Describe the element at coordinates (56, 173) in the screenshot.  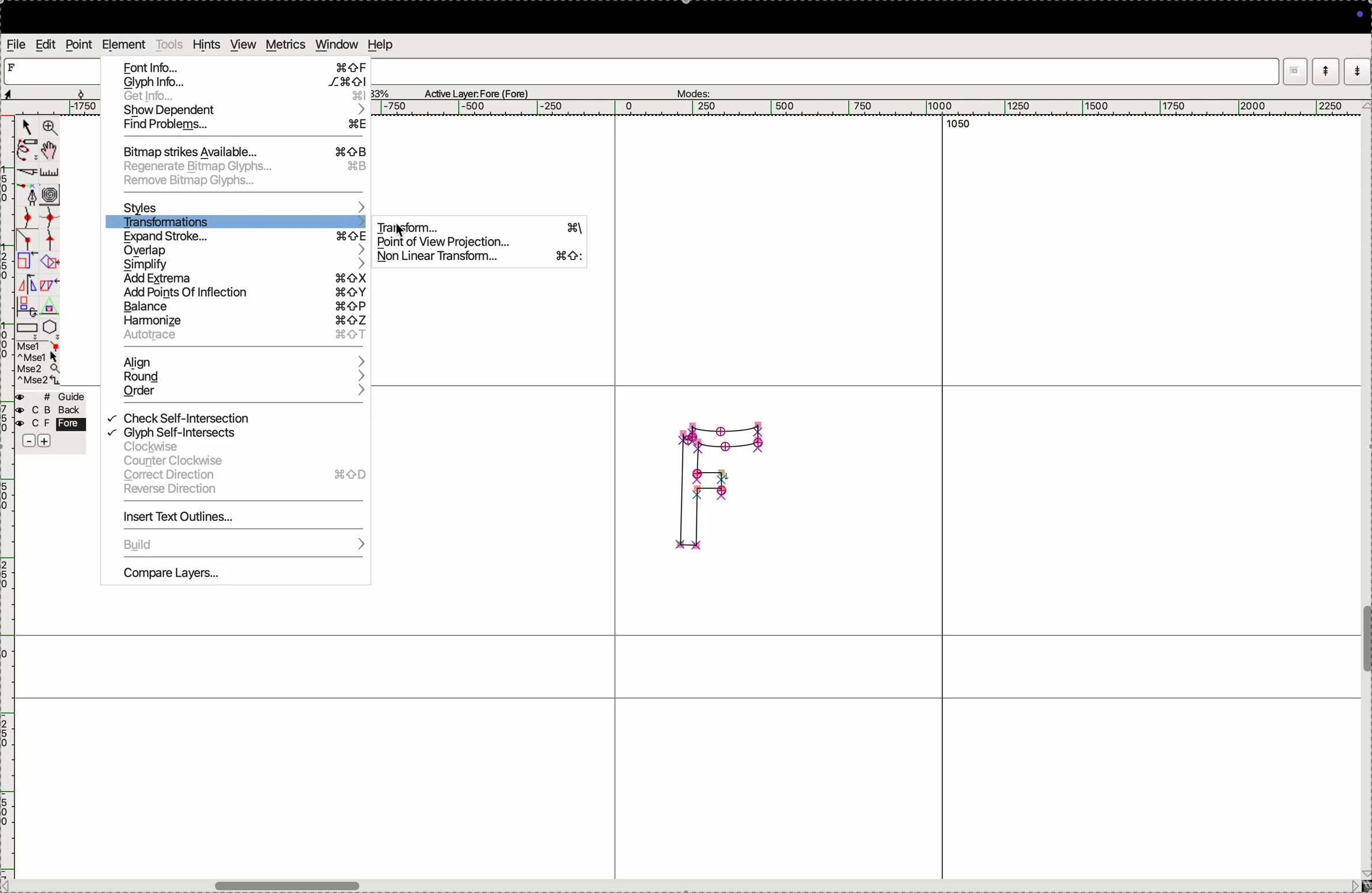
I see `ruler` at that location.